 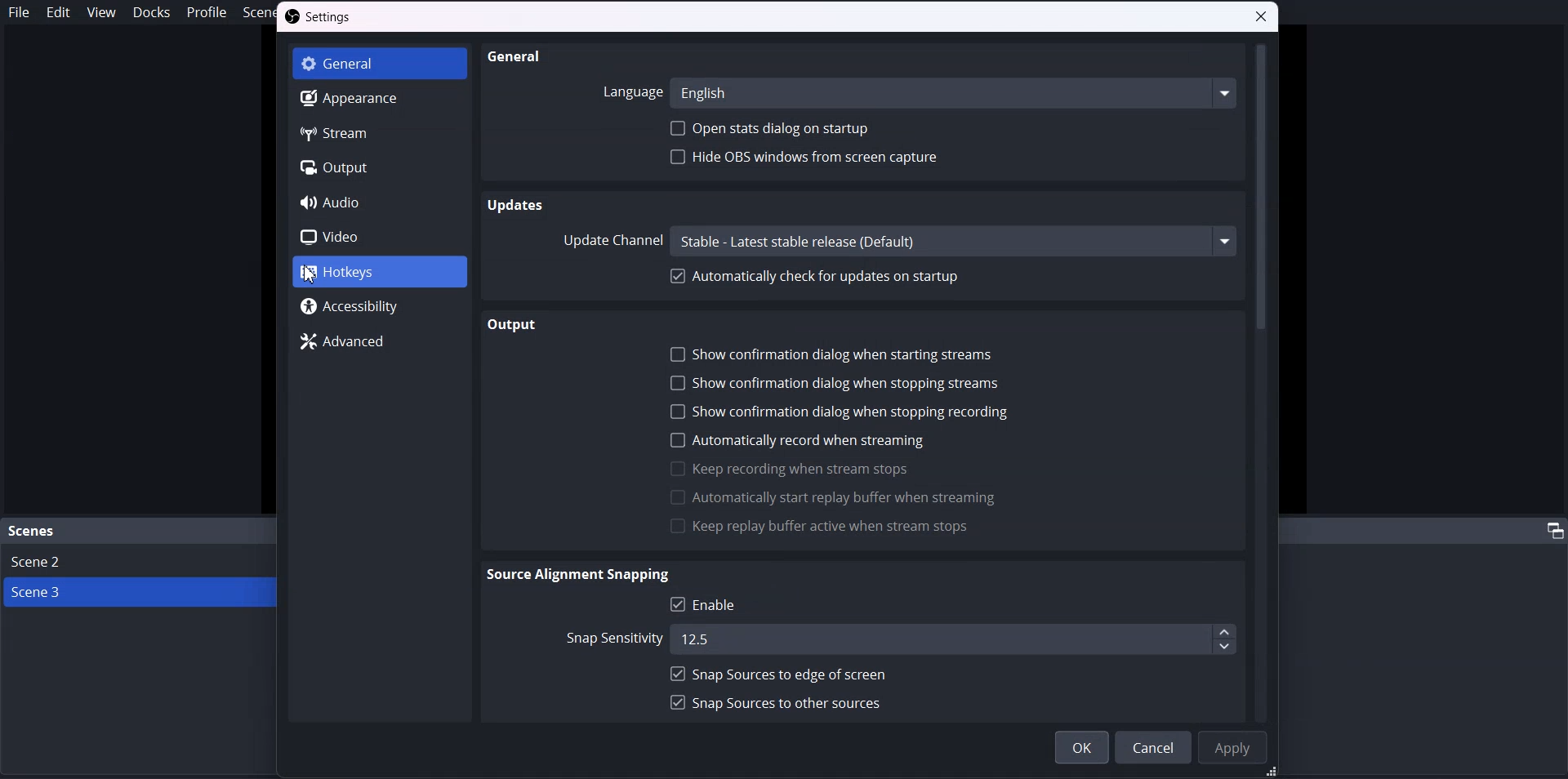 What do you see at coordinates (379, 168) in the screenshot?
I see `Output` at bounding box center [379, 168].